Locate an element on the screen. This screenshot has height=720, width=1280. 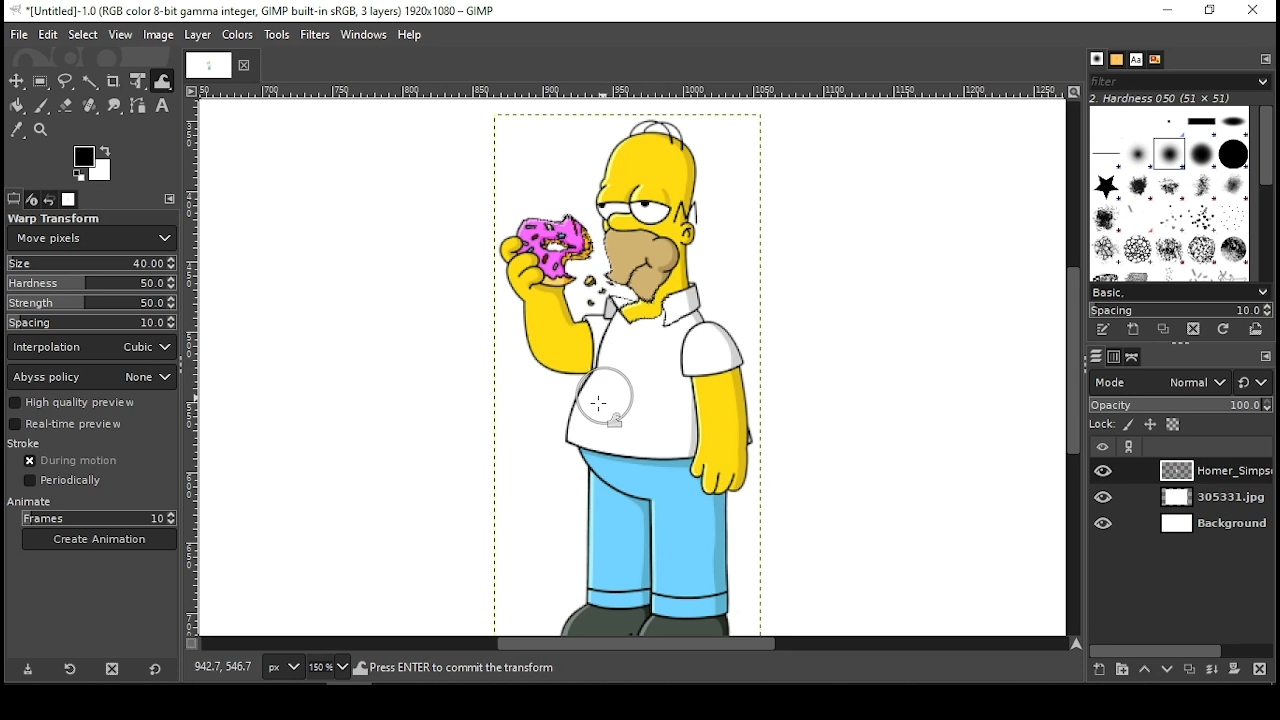
create a new layer is located at coordinates (1101, 671).